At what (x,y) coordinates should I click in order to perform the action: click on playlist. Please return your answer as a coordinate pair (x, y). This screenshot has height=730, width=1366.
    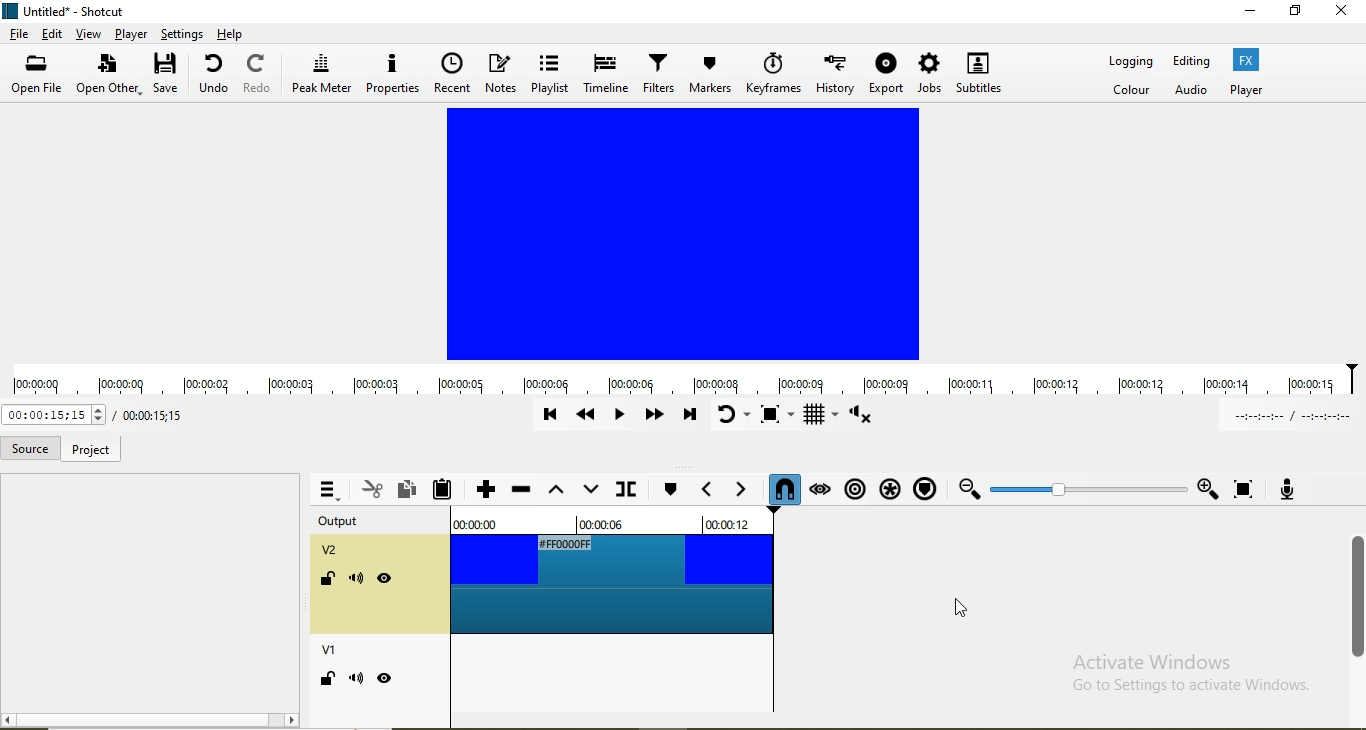
    Looking at the image, I should click on (550, 73).